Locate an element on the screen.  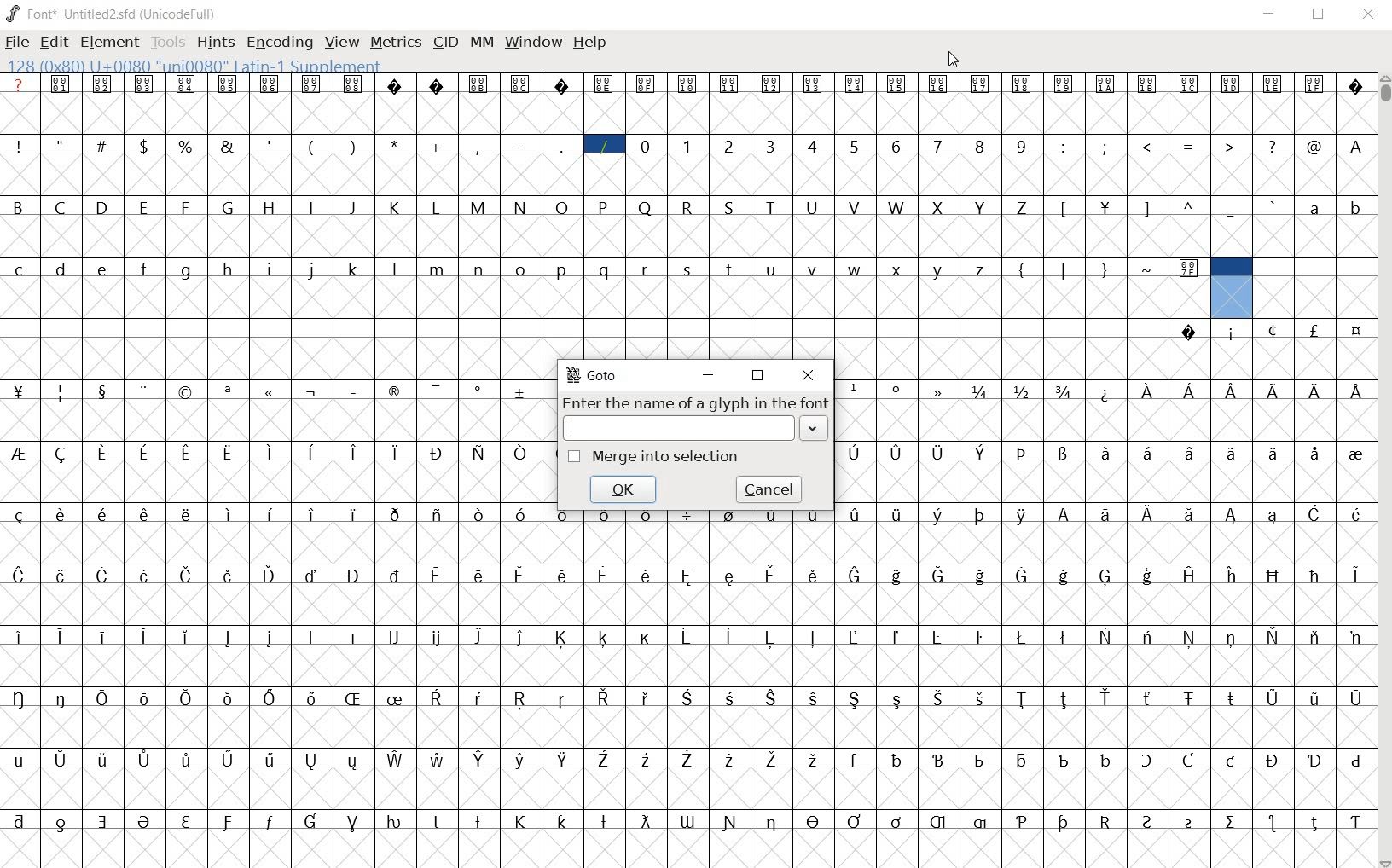
Symbol is located at coordinates (1105, 513).